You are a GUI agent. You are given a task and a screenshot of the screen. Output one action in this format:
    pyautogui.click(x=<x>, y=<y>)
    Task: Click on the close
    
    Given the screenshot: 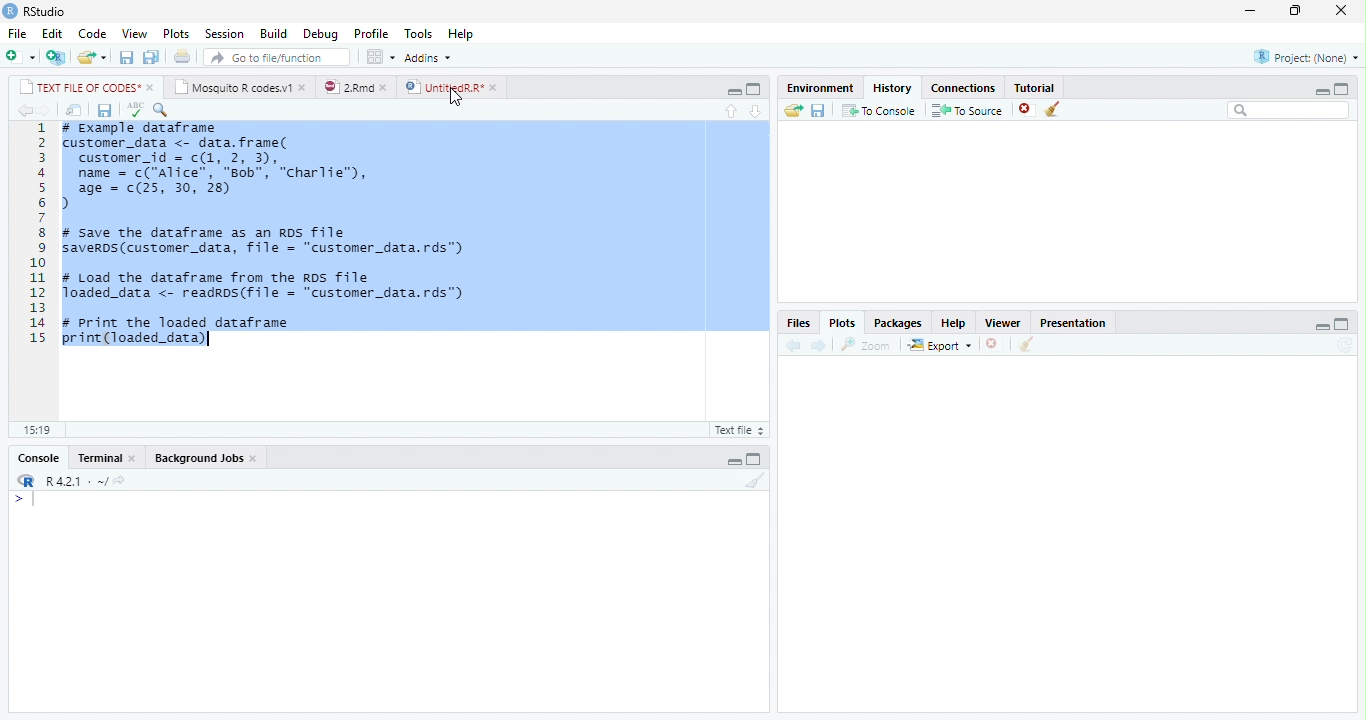 What is the action you would take?
    pyautogui.click(x=305, y=87)
    